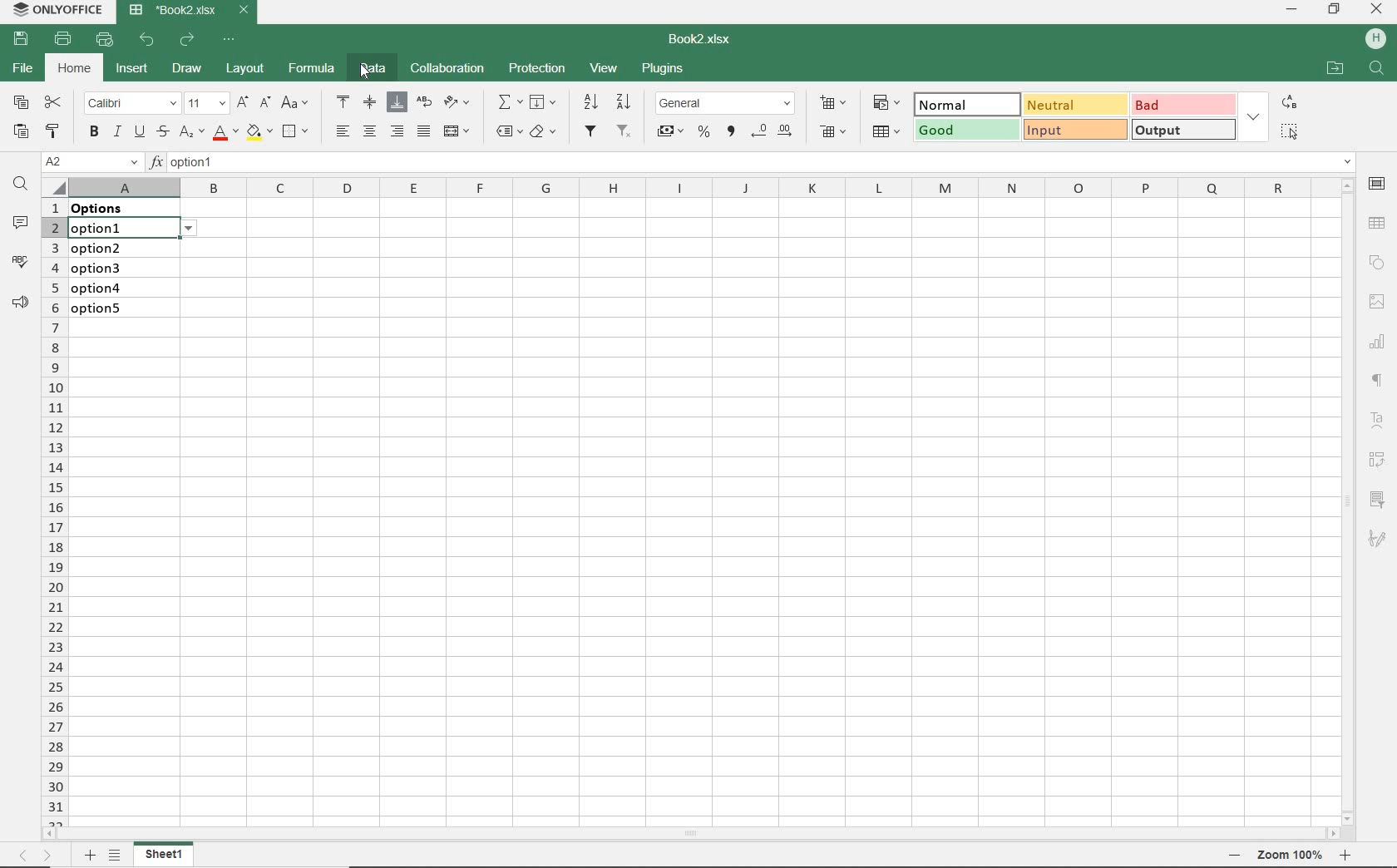  What do you see at coordinates (729, 133) in the screenshot?
I see `COMMA STYLE` at bounding box center [729, 133].